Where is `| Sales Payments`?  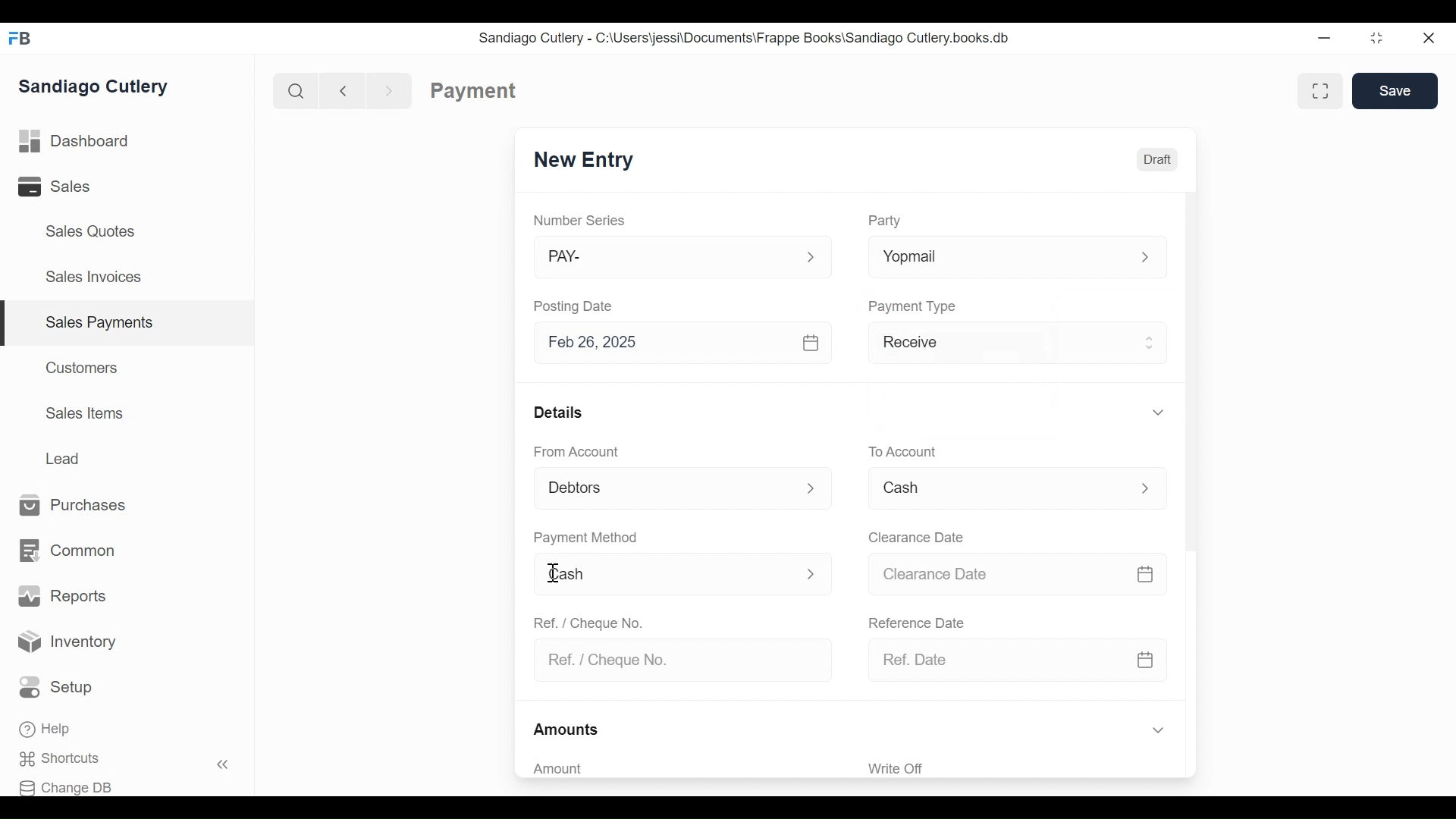 | Sales Payments is located at coordinates (129, 324).